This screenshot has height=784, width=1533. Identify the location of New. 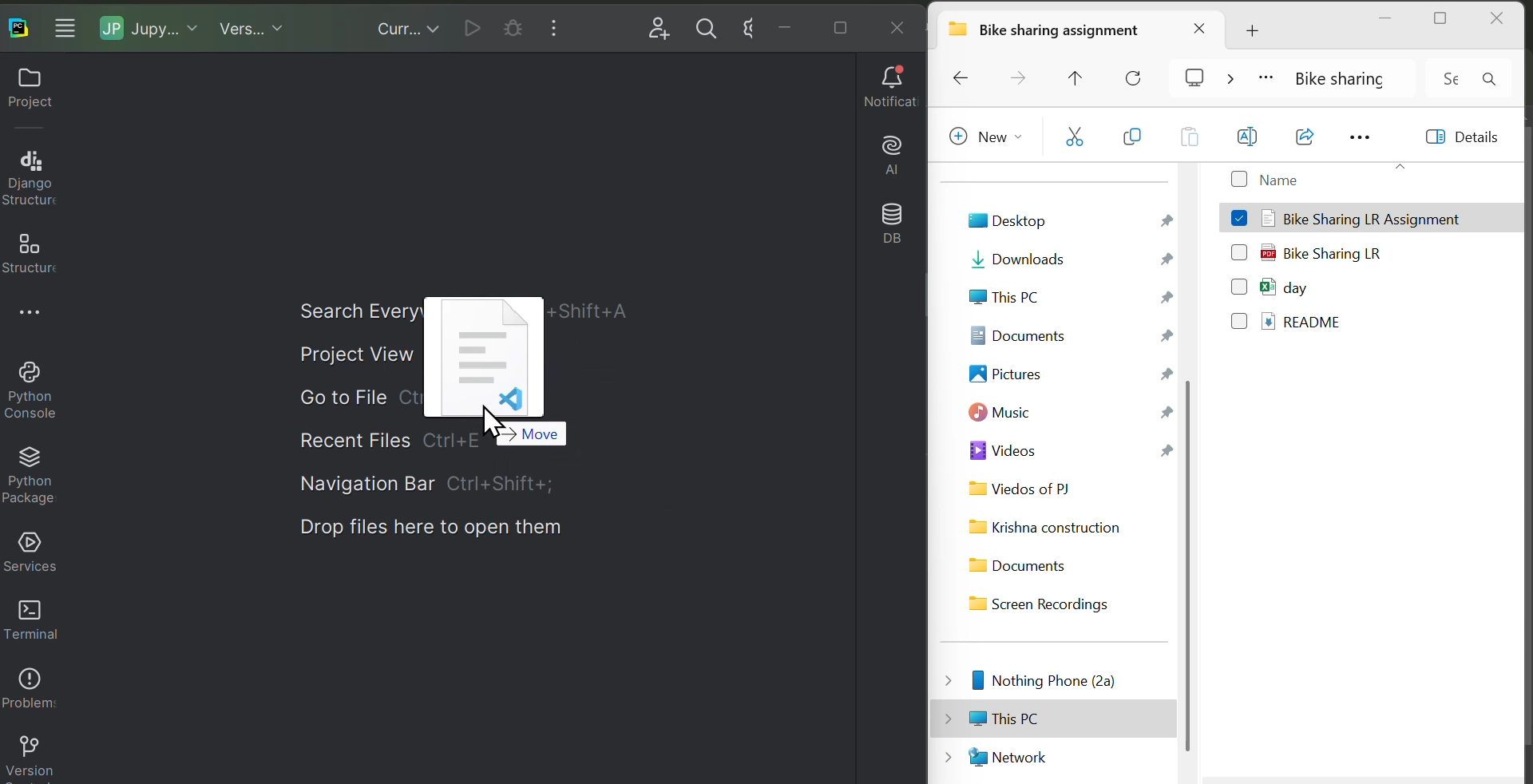
(985, 140).